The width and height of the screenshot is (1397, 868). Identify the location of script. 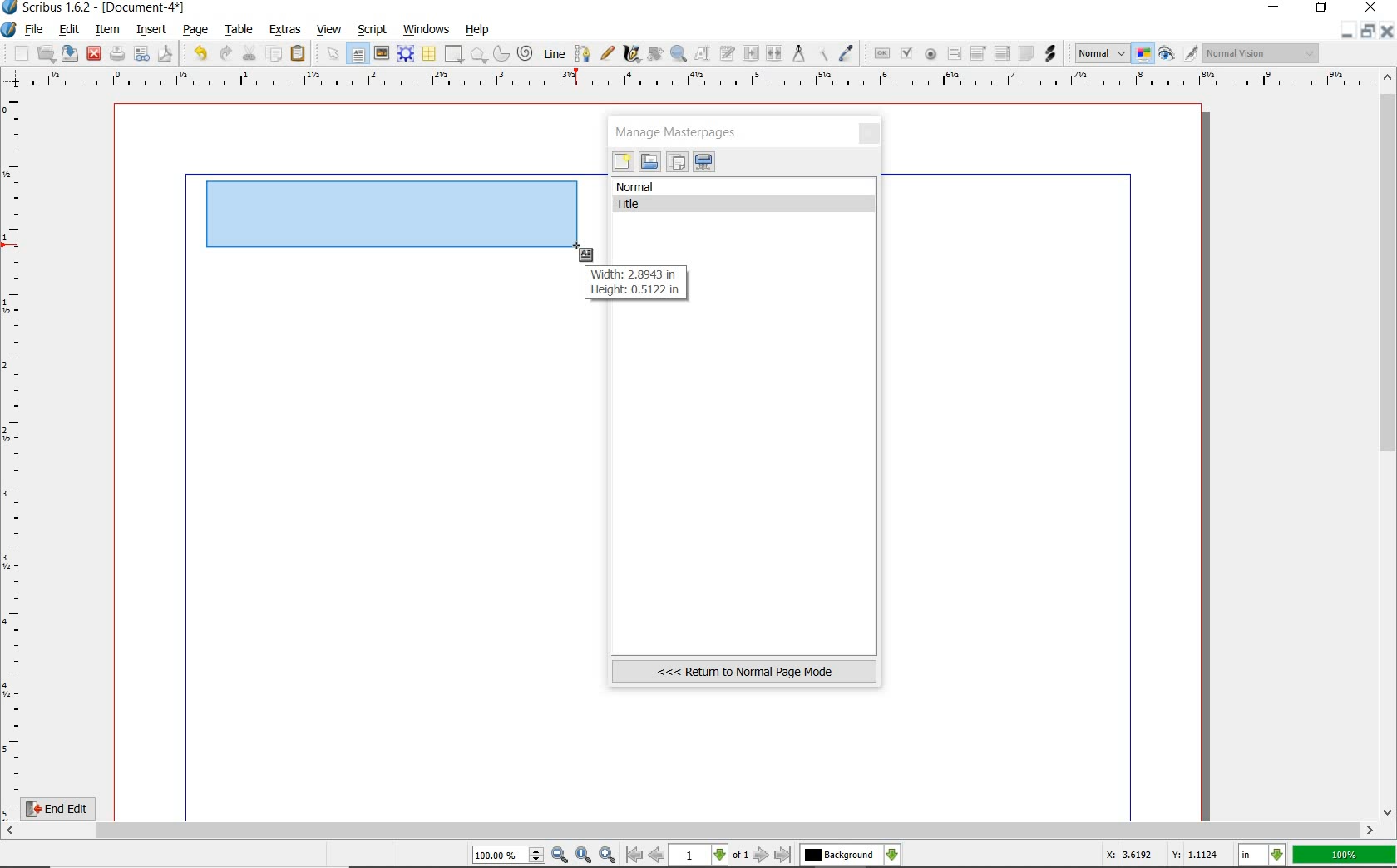
(373, 28).